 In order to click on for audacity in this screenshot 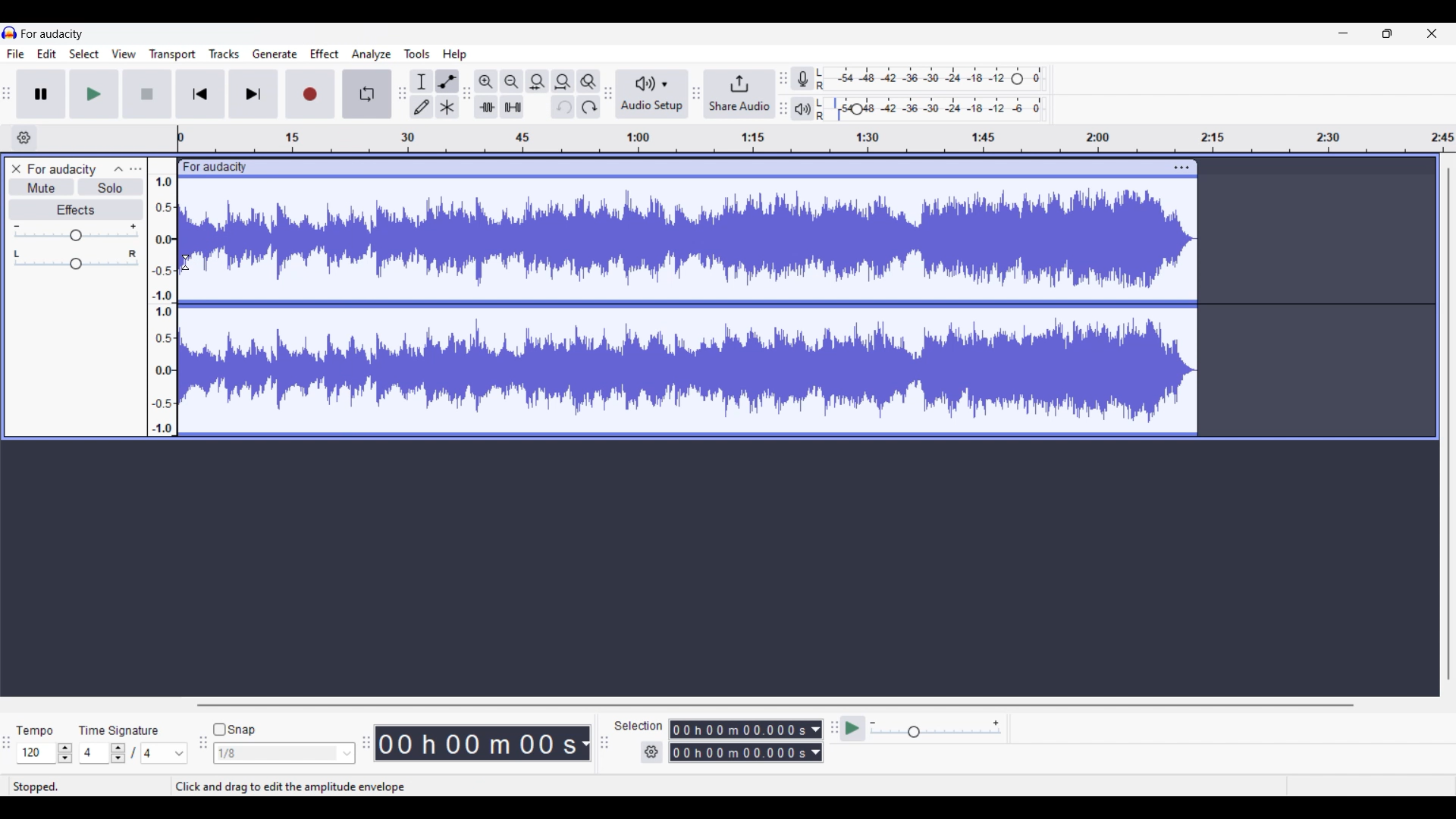, I will do `click(215, 168)`.